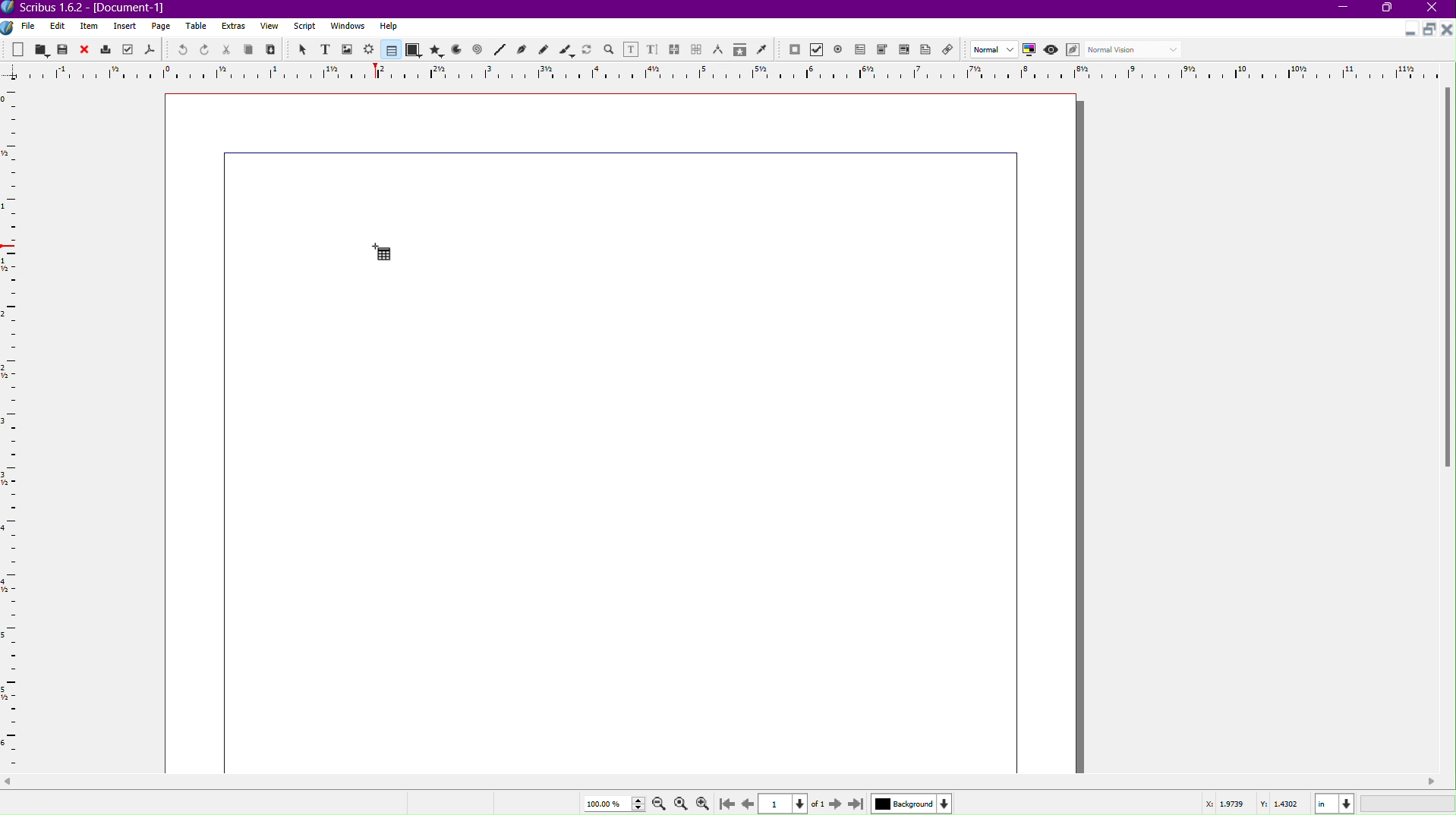 The image size is (1456, 815). What do you see at coordinates (928, 52) in the screenshot?
I see `PDF Text Annotation` at bounding box center [928, 52].